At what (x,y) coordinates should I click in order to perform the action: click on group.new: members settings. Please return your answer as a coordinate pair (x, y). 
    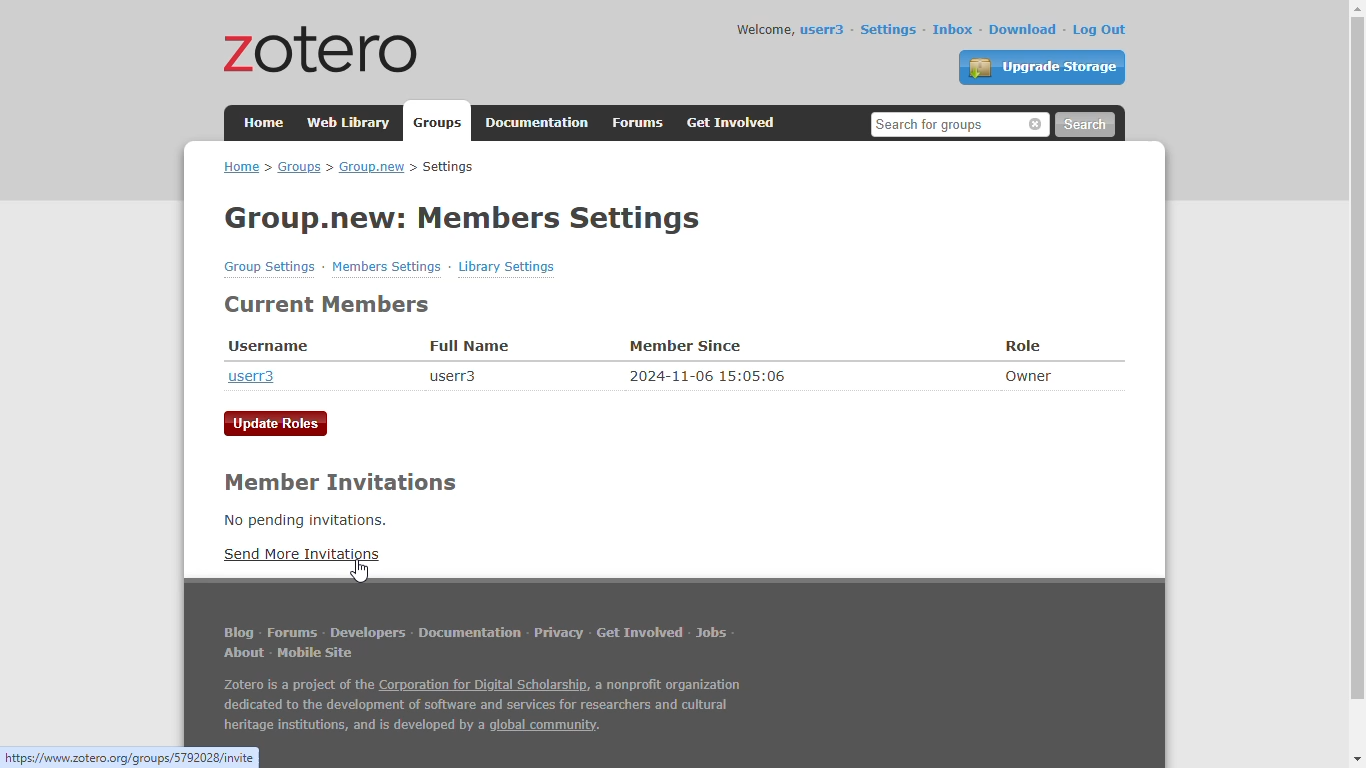
    Looking at the image, I should click on (464, 218).